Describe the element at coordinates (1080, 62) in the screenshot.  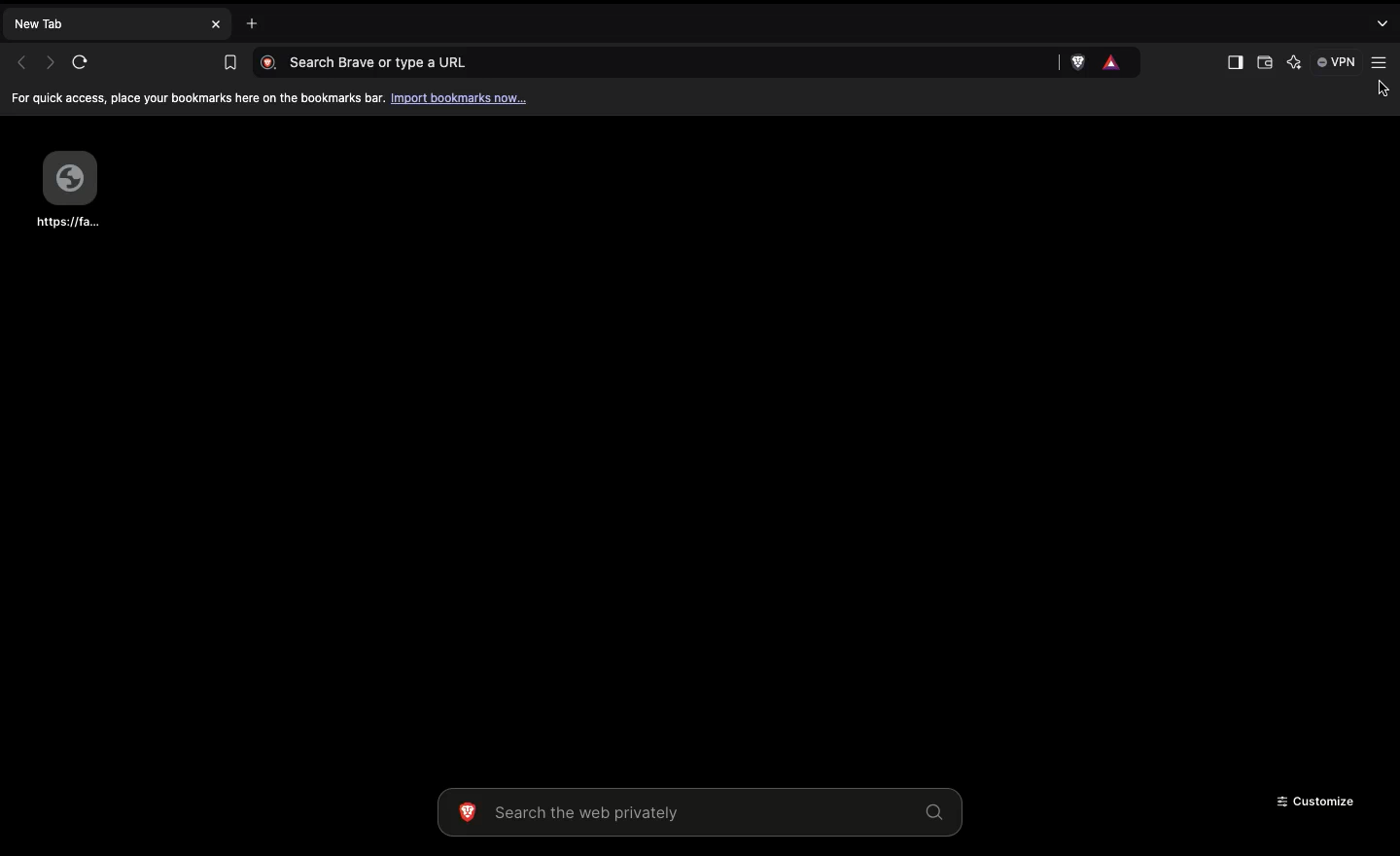
I see `brave shield` at that location.